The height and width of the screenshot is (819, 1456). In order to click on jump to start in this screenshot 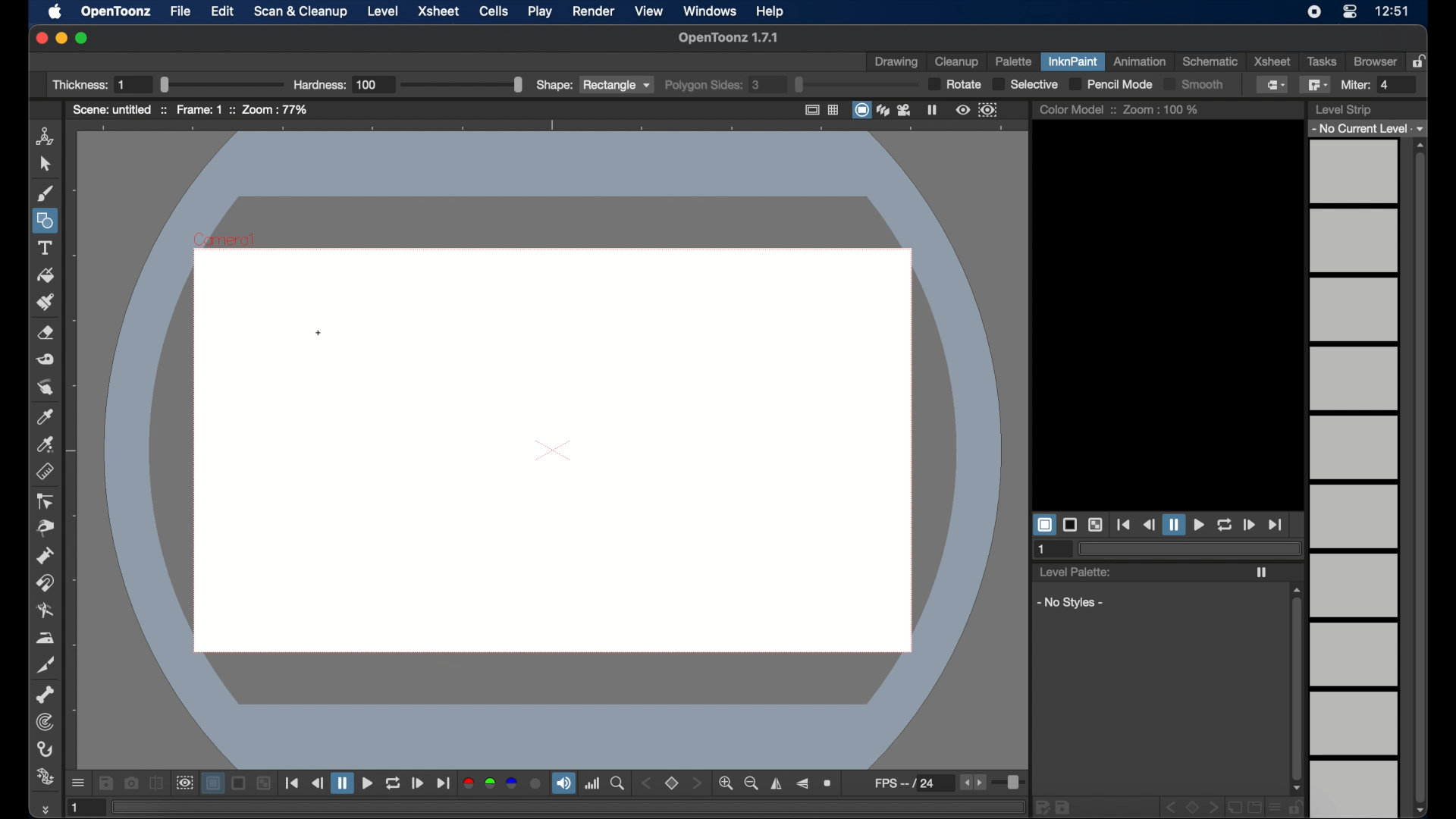, I will do `click(292, 783)`.